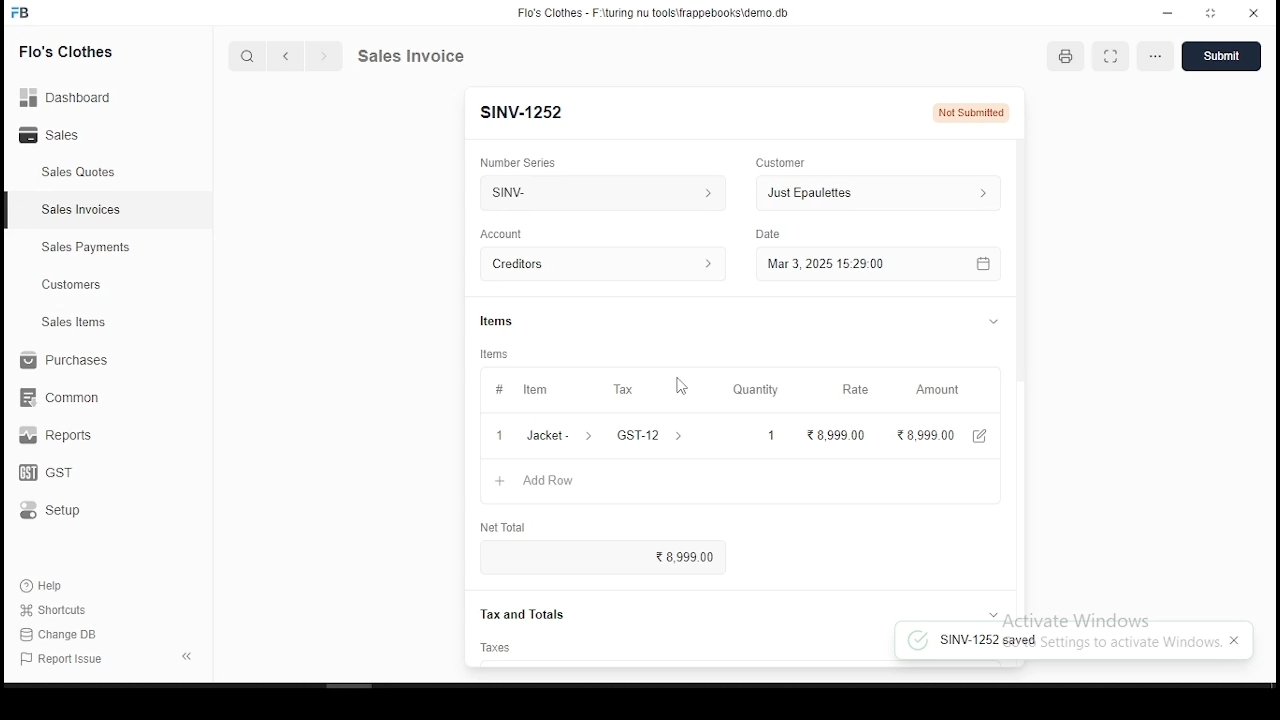 The image size is (1280, 720). Describe the element at coordinates (857, 266) in the screenshot. I see `Mar 3, 2025 1529.00 ` at that location.